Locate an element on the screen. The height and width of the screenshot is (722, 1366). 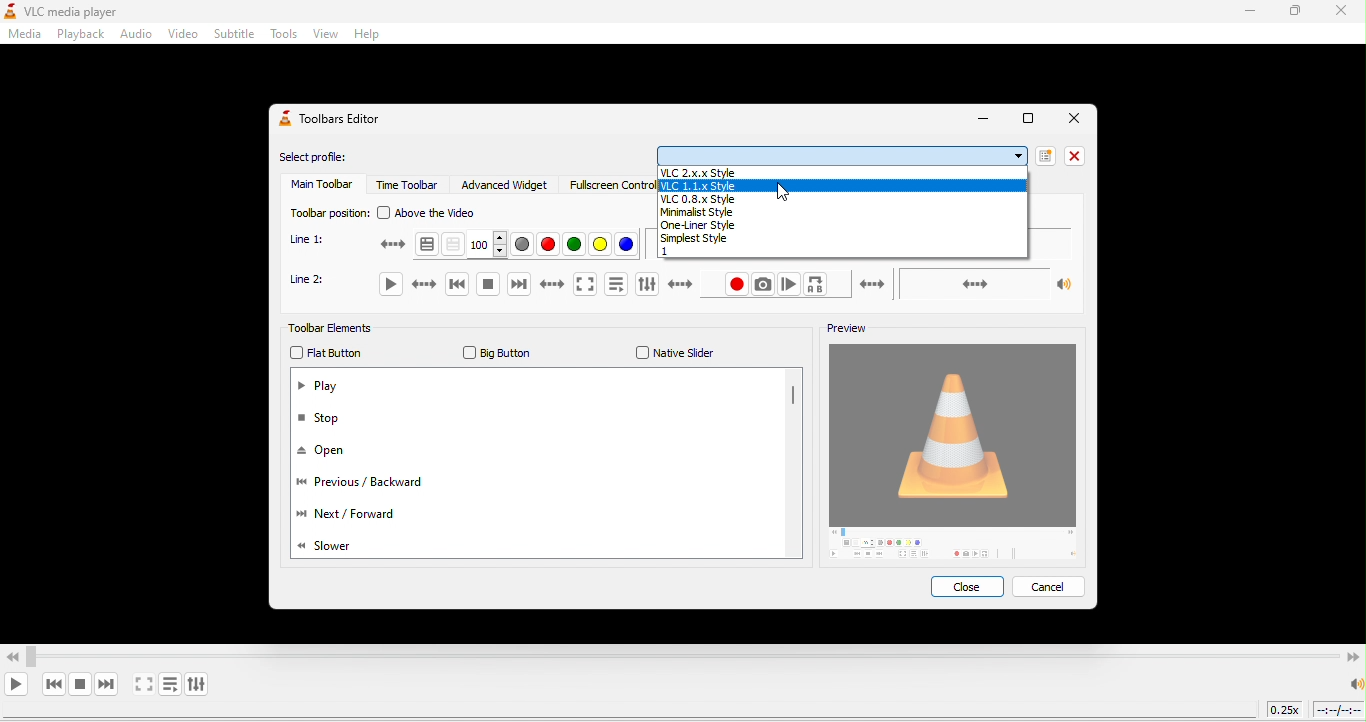
timeline is located at coordinates (1339, 710).